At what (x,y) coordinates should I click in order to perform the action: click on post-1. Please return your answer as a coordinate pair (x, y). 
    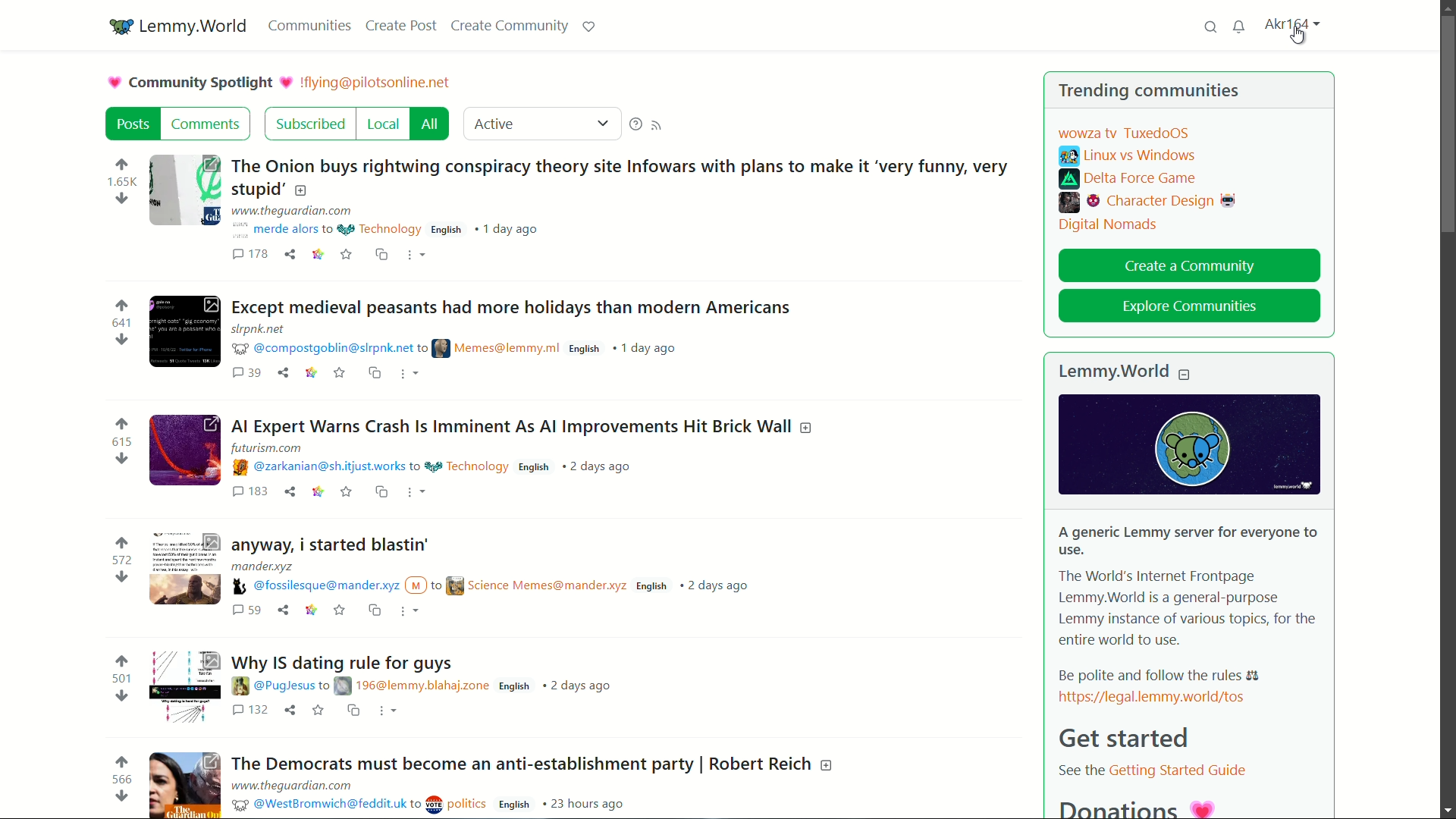
    Looking at the image, I should click on (624, 176).